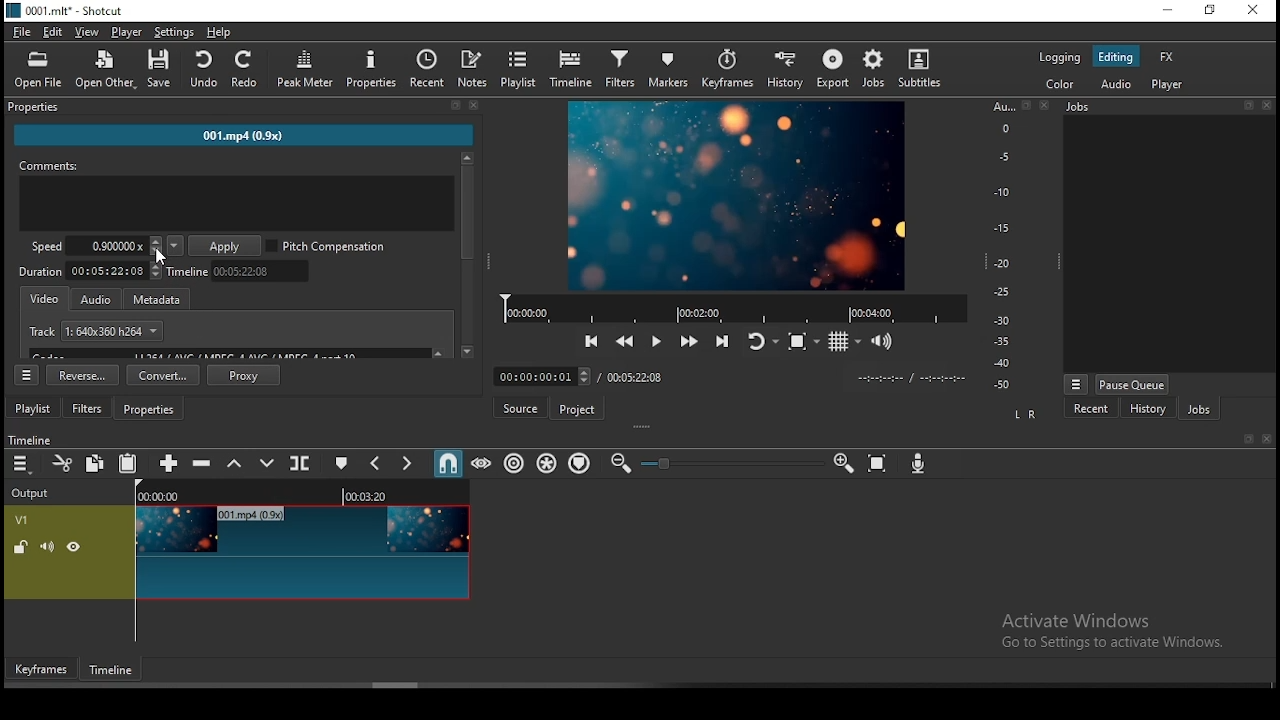 The width and height of the screenshot is (1280, 720). I want to click on recent, so click(425, 69).